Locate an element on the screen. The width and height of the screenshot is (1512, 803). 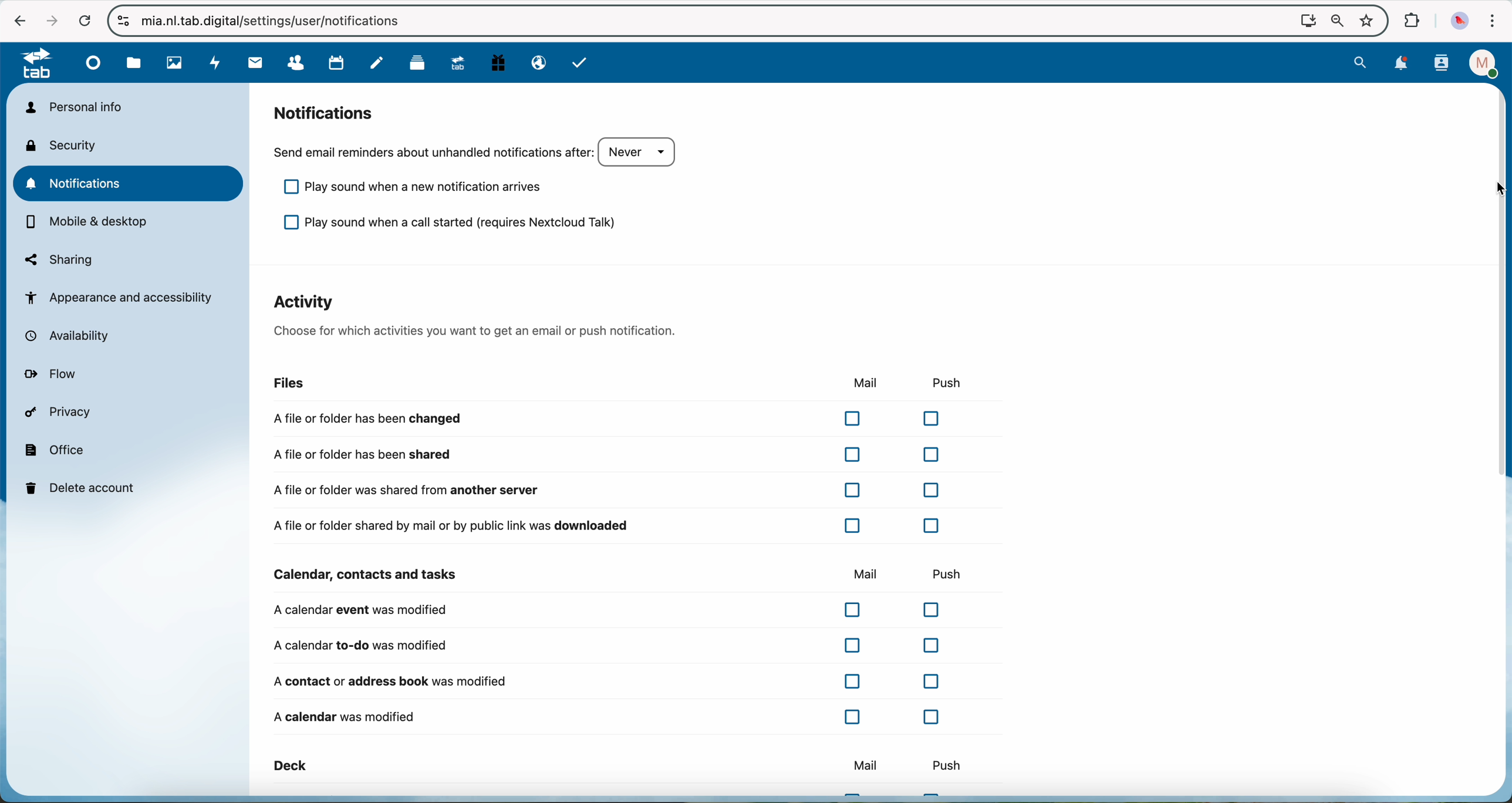
refresh the page is located at coordinates (84, 20).